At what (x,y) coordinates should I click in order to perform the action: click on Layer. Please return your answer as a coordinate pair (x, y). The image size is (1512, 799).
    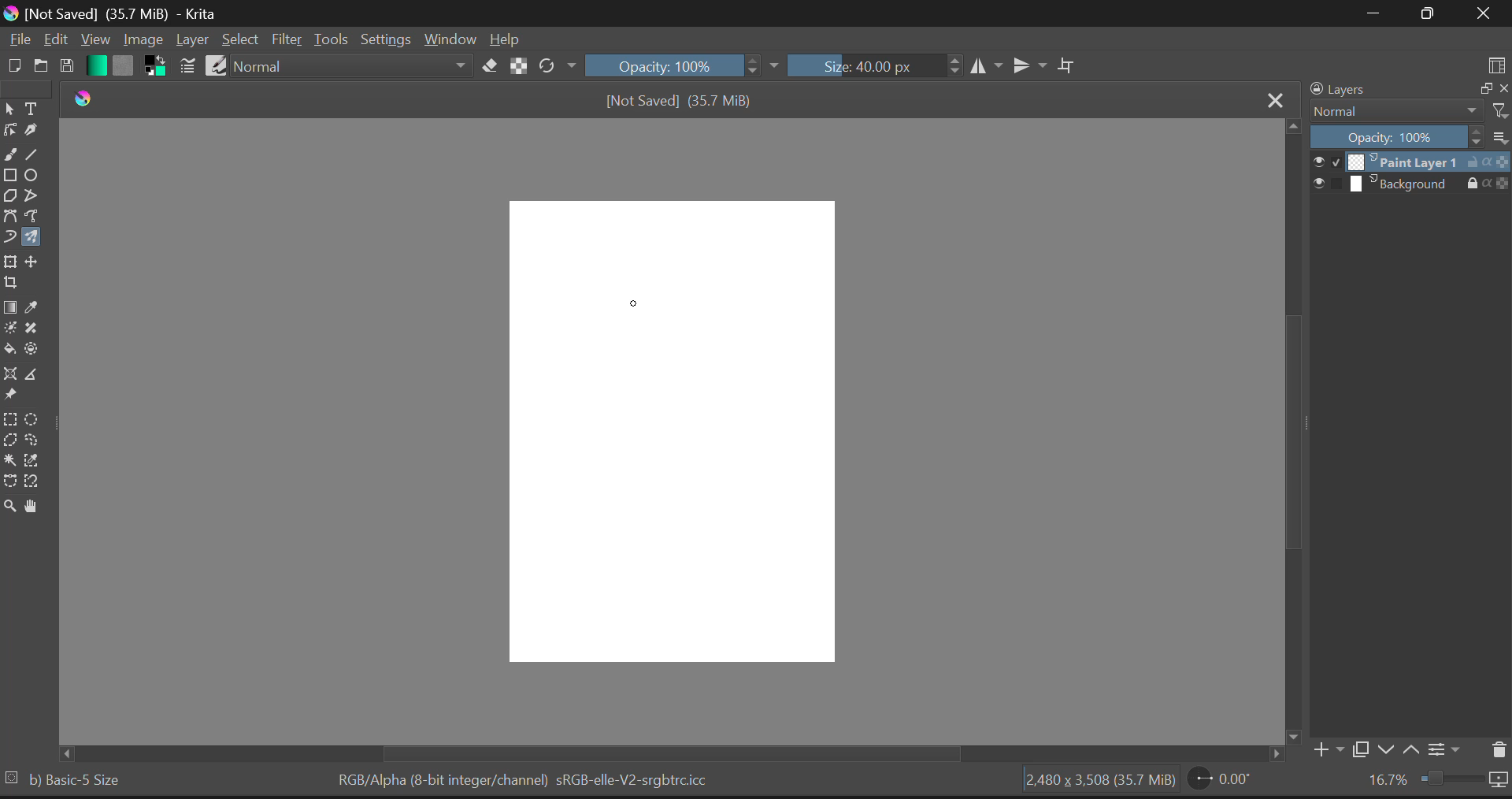
    Looking at the image, I should click on (192, 40).